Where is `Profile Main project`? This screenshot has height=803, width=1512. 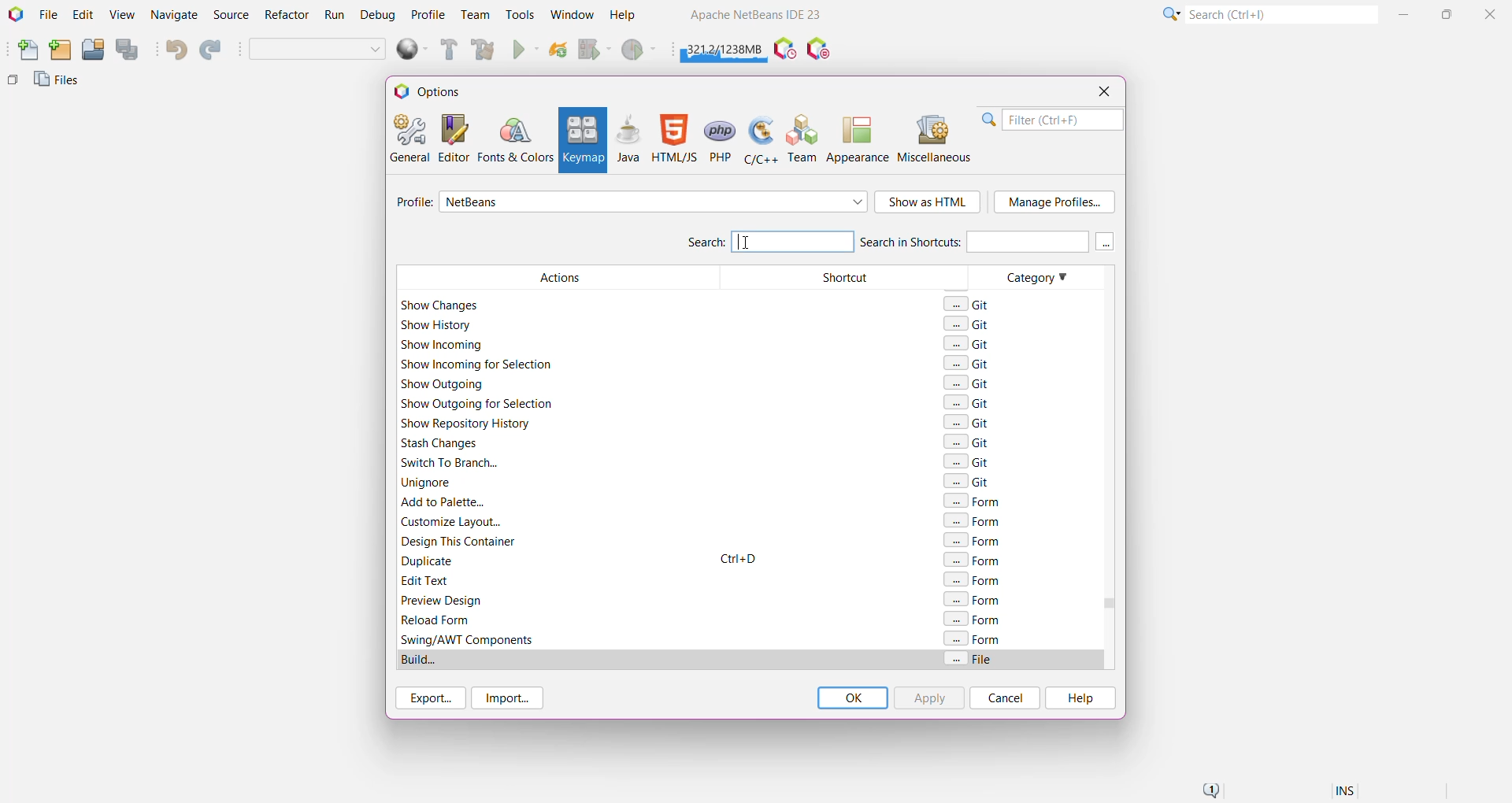
Profile Main project is located at coordinates (640, 51).